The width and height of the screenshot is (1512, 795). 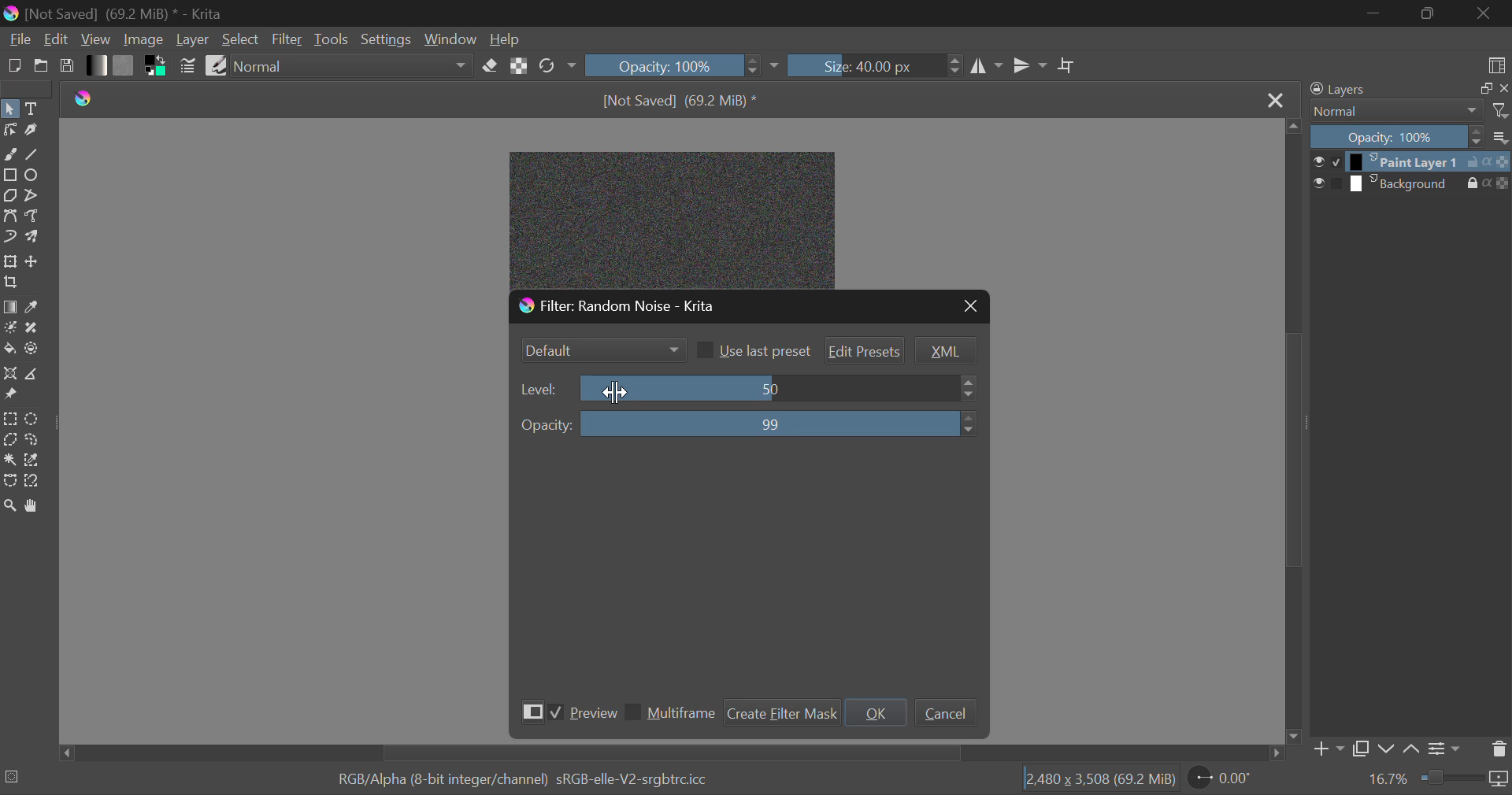 I want to click on background, so click(x=1401, y=183).